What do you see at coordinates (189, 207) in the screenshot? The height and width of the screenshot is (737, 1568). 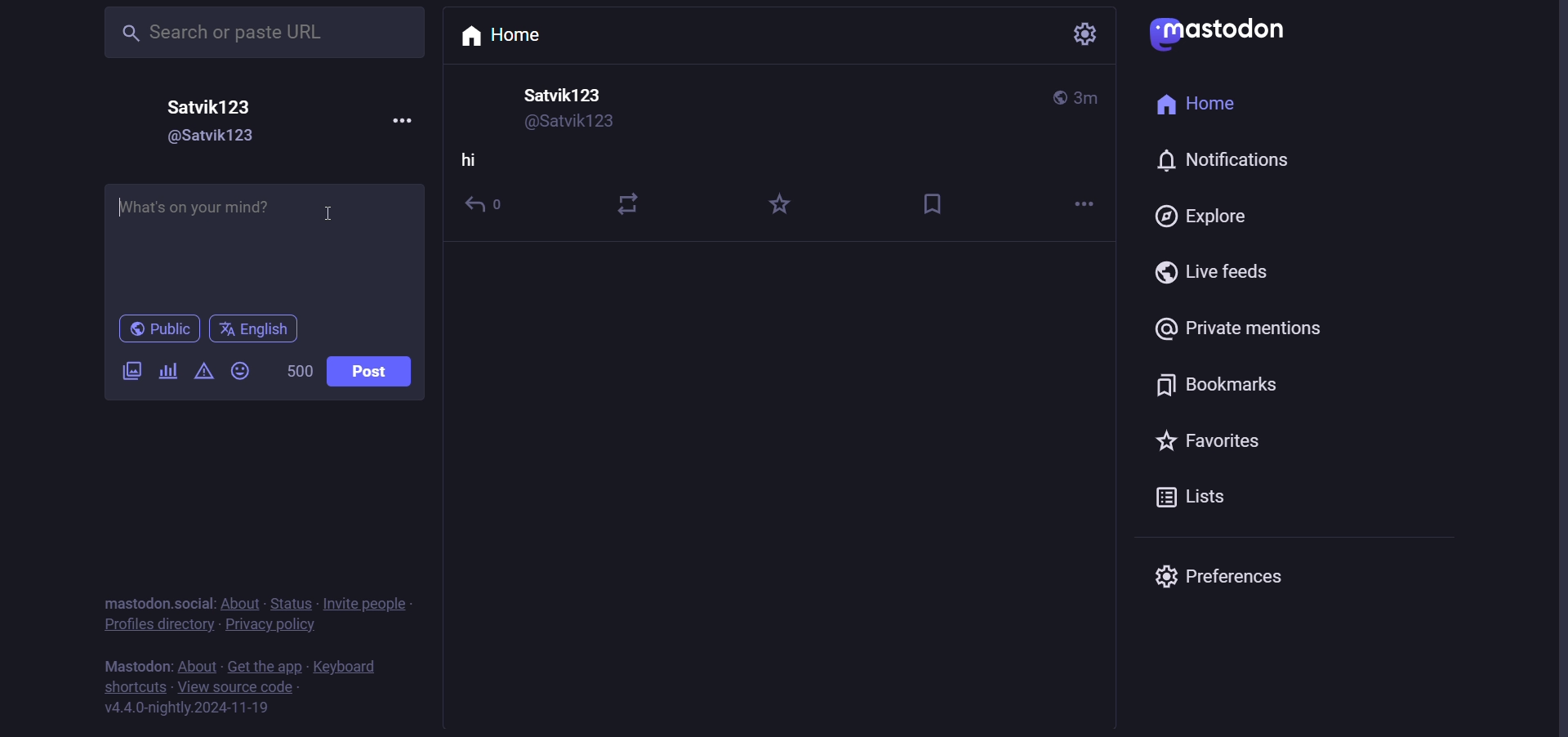 I see `writing activated` at bounding box center [189, 207].